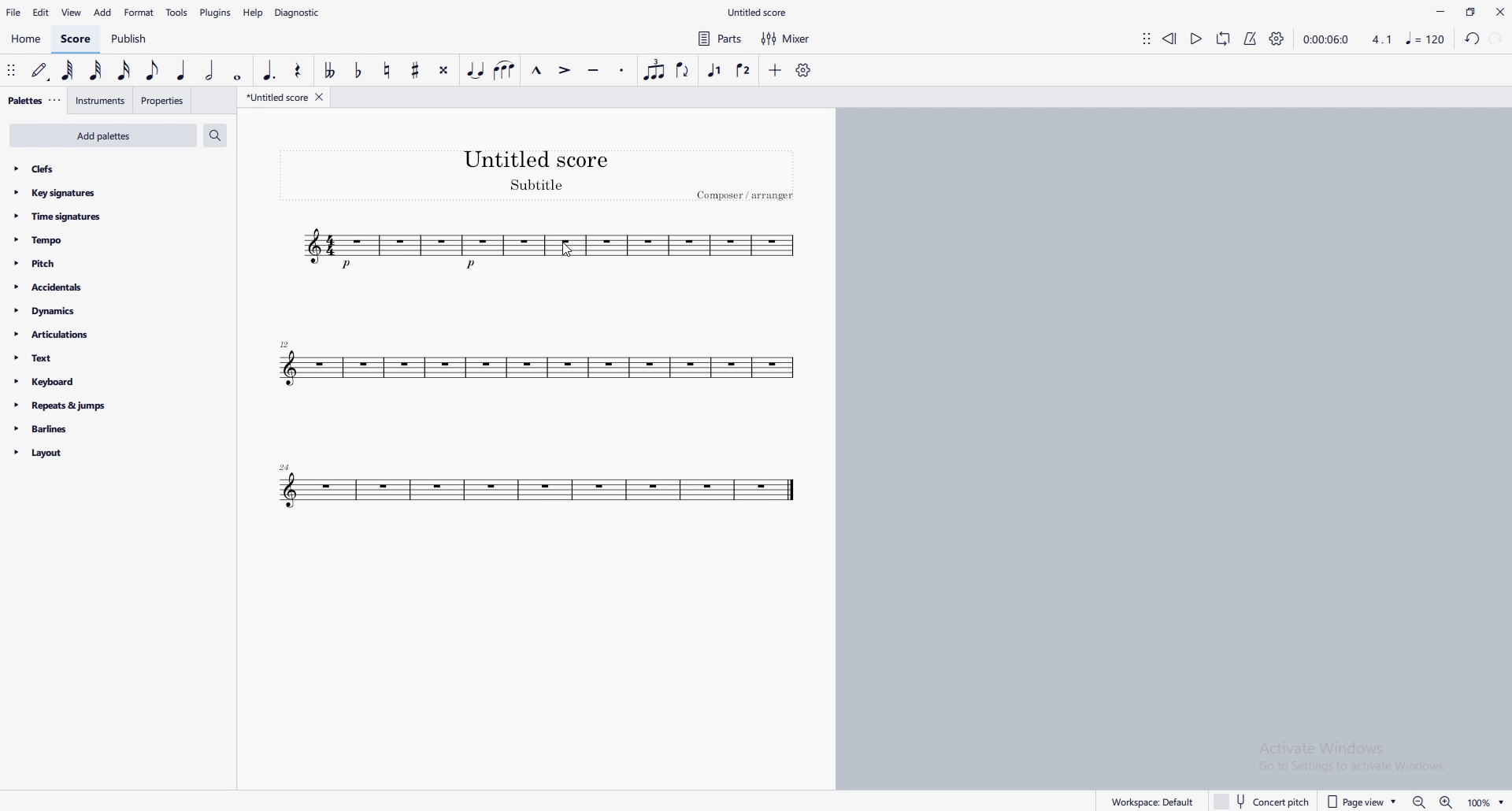  Describe the element at coordinates (1169, 37) in the screenshot. I see `rewind` at that location.